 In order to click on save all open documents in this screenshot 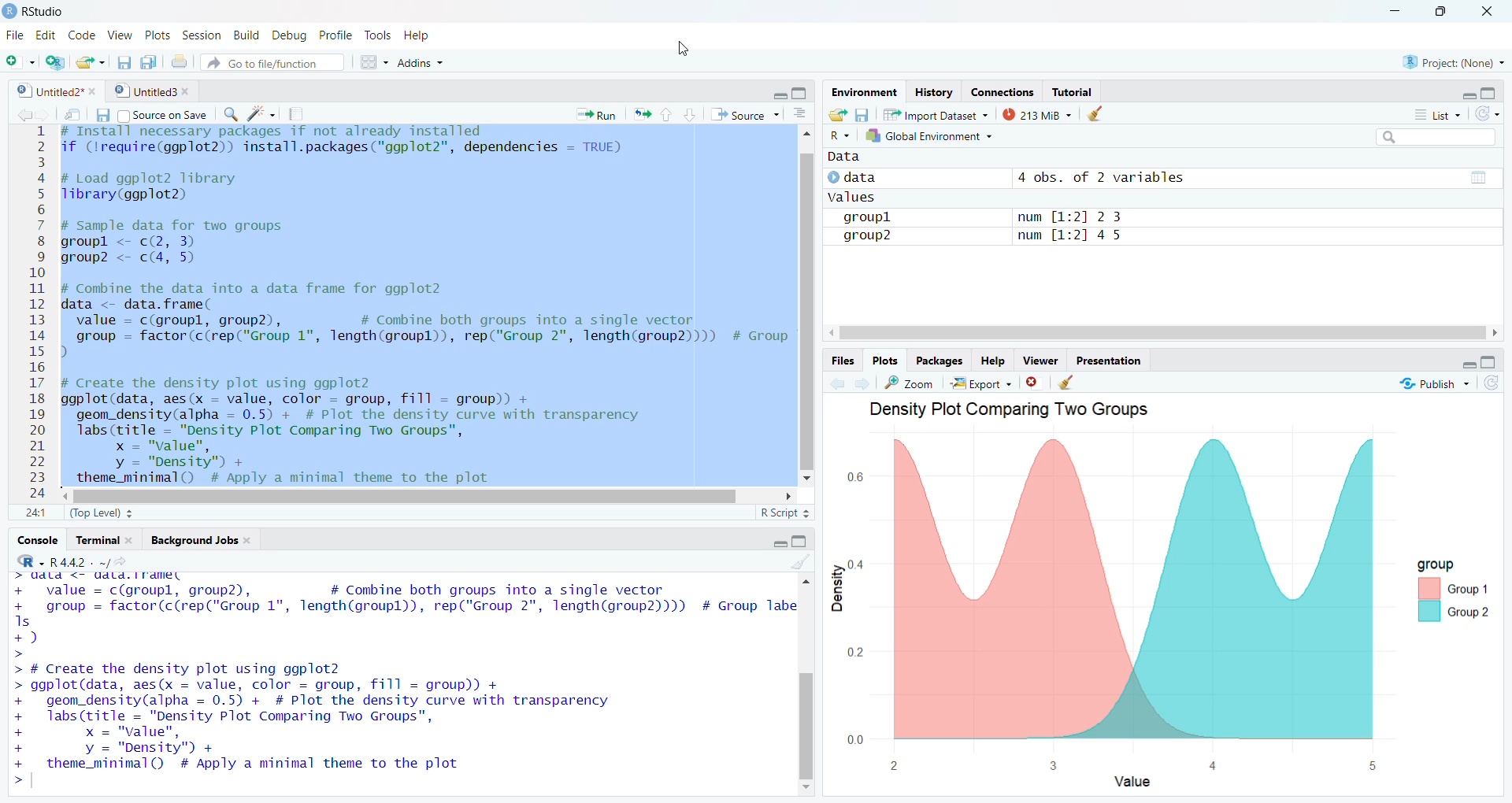, I will do `click(151, 63)`.